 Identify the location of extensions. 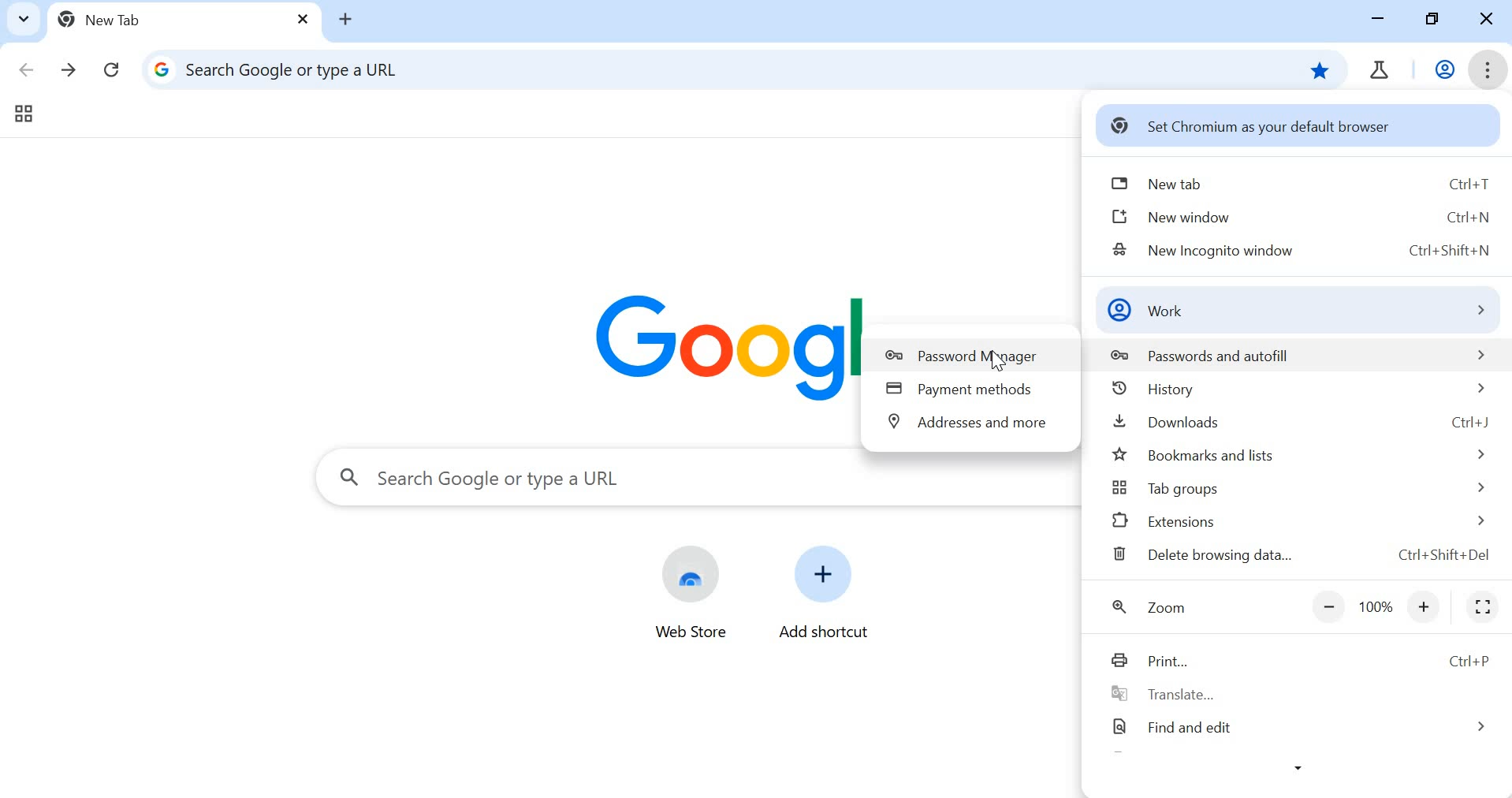
(1300, 524).